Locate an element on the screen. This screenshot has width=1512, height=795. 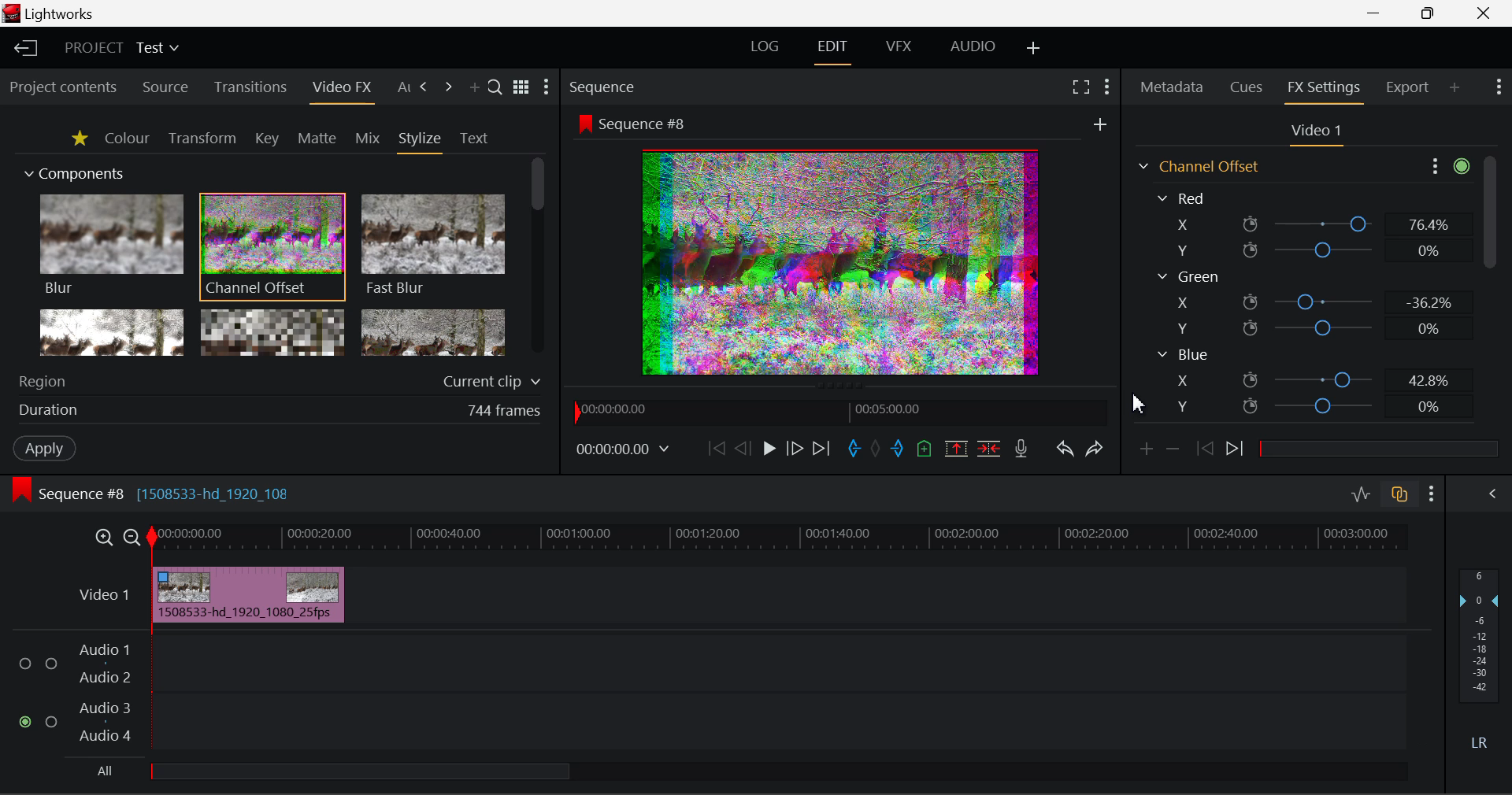
Scroll Bar is located at coordinates (1489, 294).